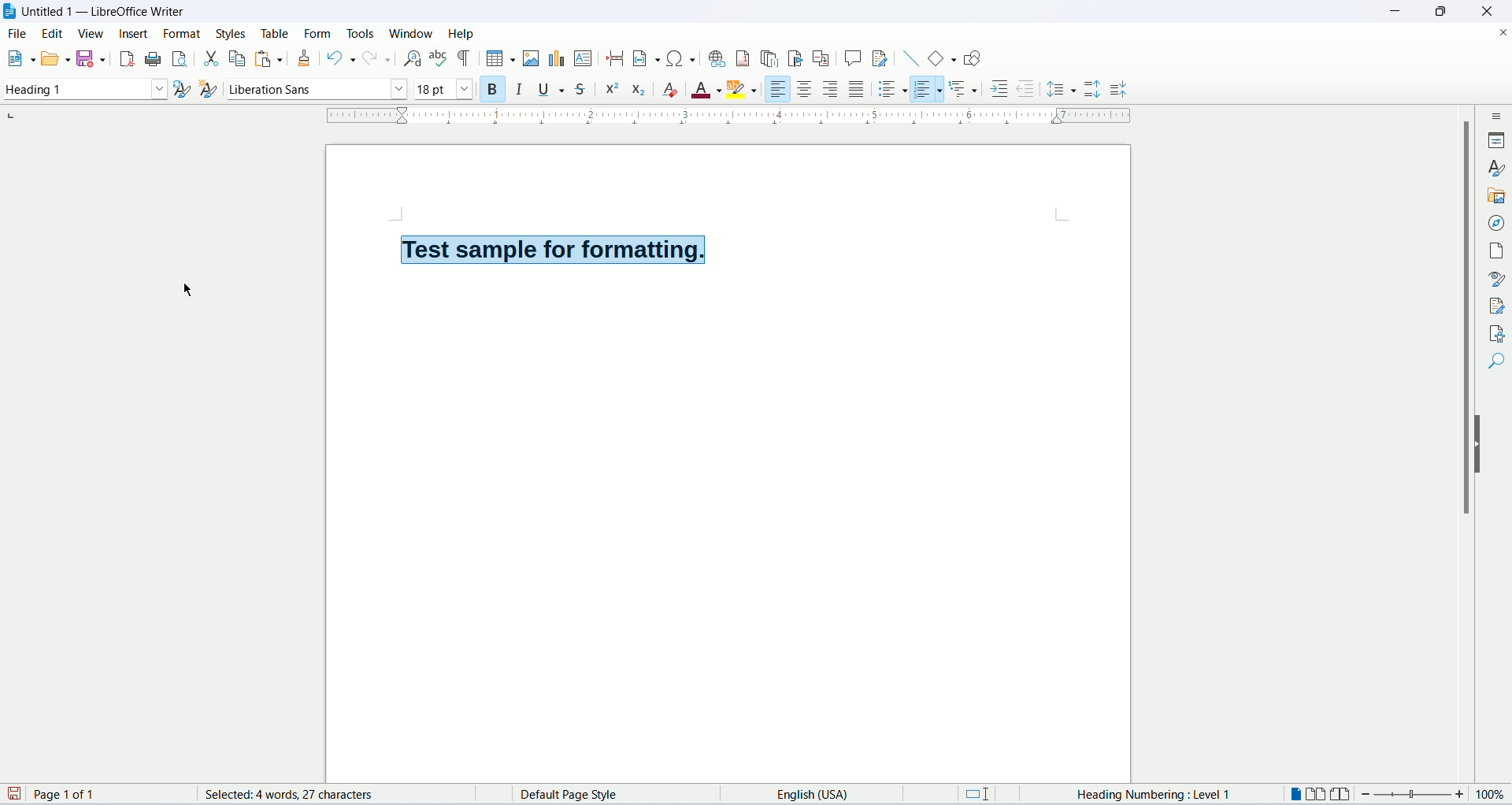 Image resolution: width=1512 pixels, height=805 pixels. I want to click on spelling, so click(439, 59).